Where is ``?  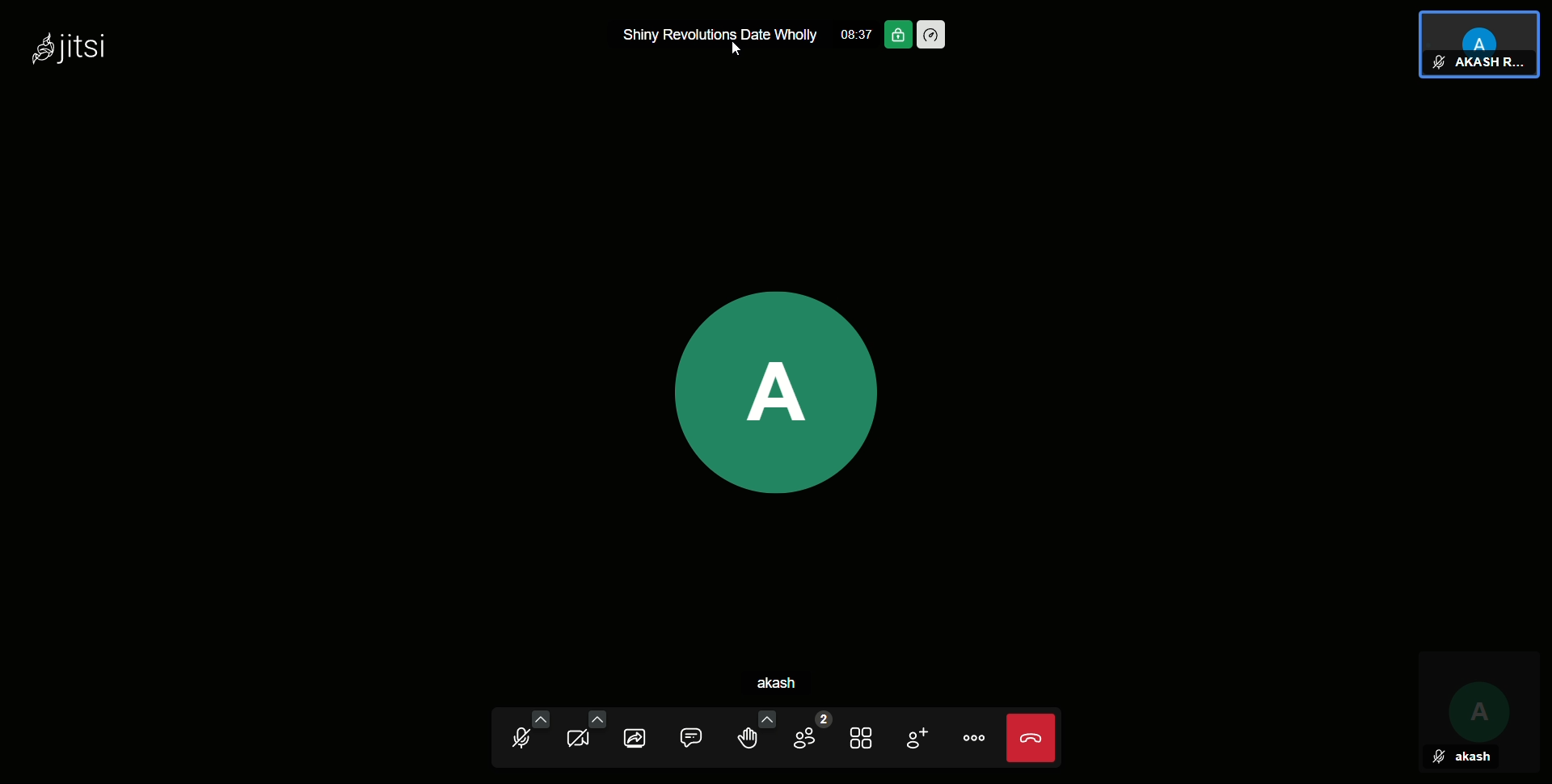  is located at coordinates (751, 735).